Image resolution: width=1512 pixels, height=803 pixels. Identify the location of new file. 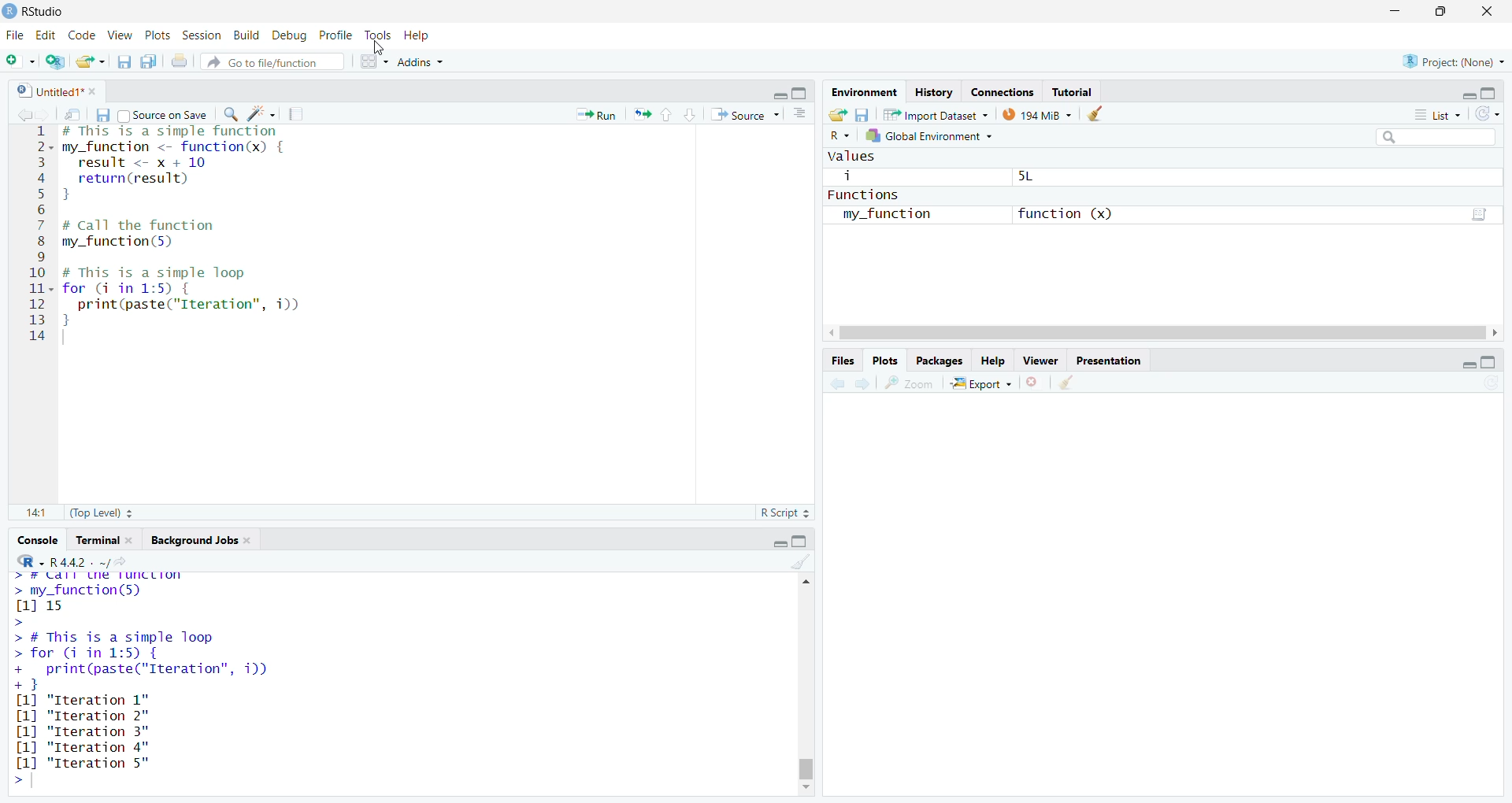
(20, 58).